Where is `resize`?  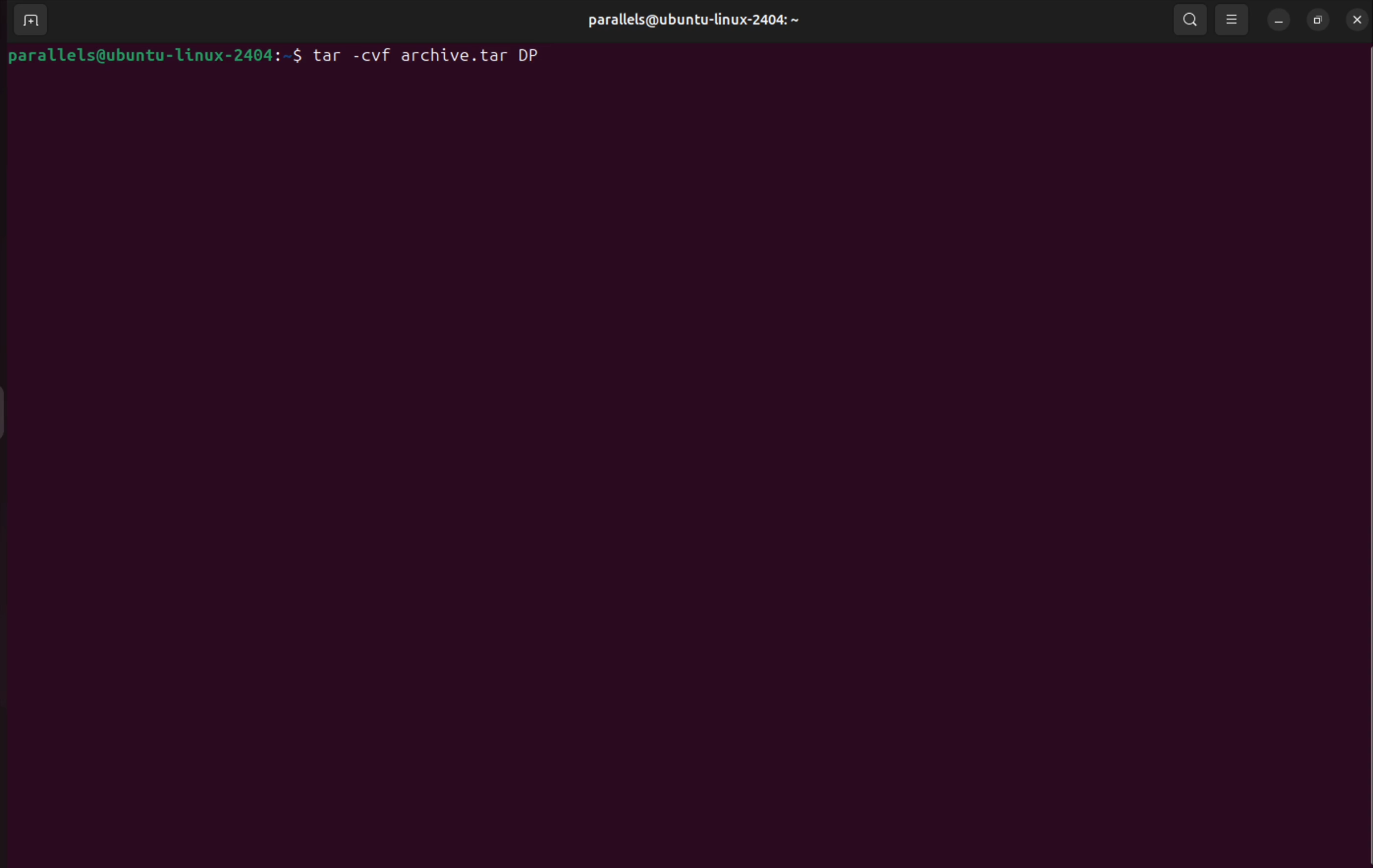
resize is located at coordinates (1319, 19).